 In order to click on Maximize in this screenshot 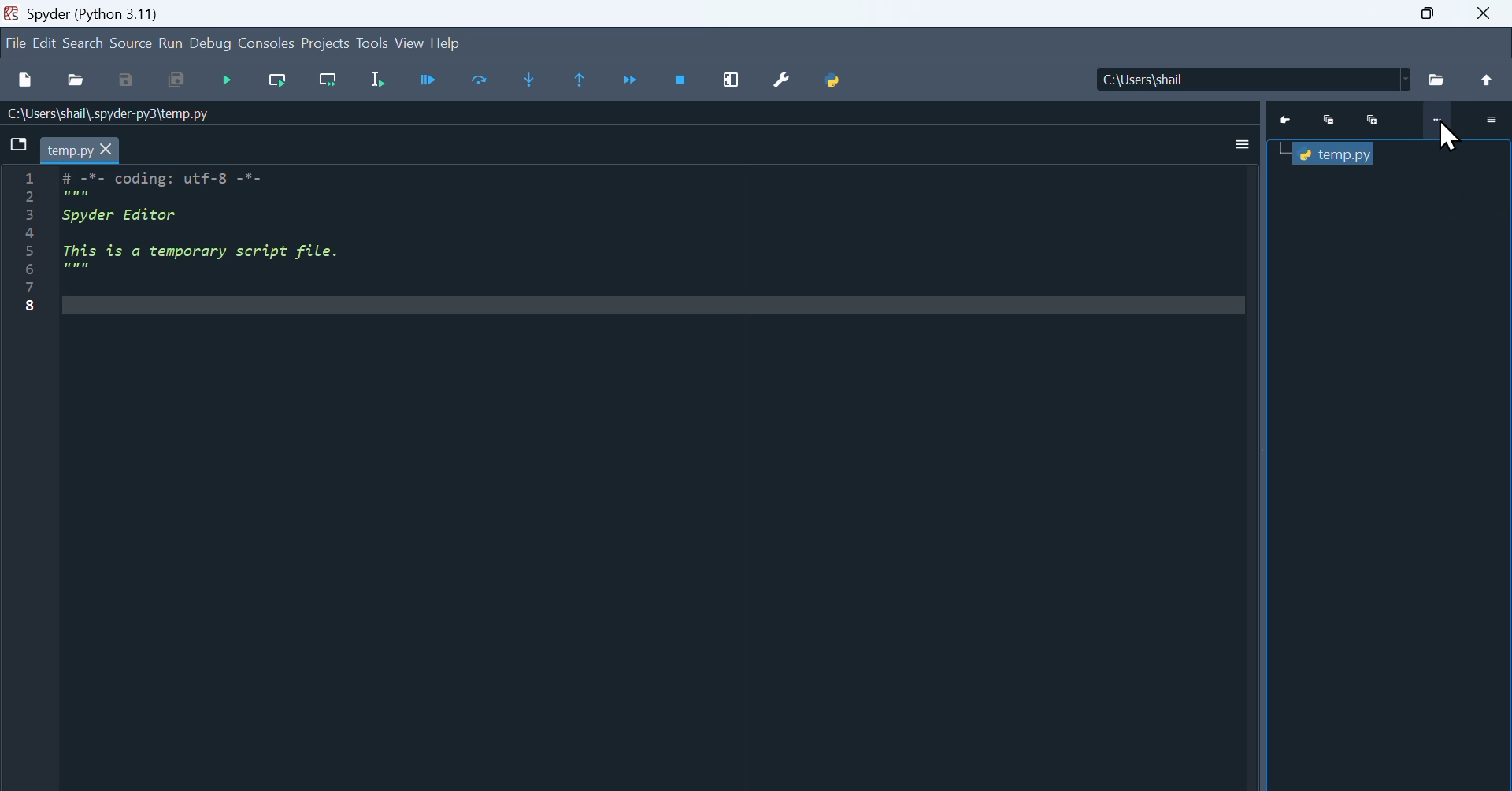, I will do `click(1373, 119)`.